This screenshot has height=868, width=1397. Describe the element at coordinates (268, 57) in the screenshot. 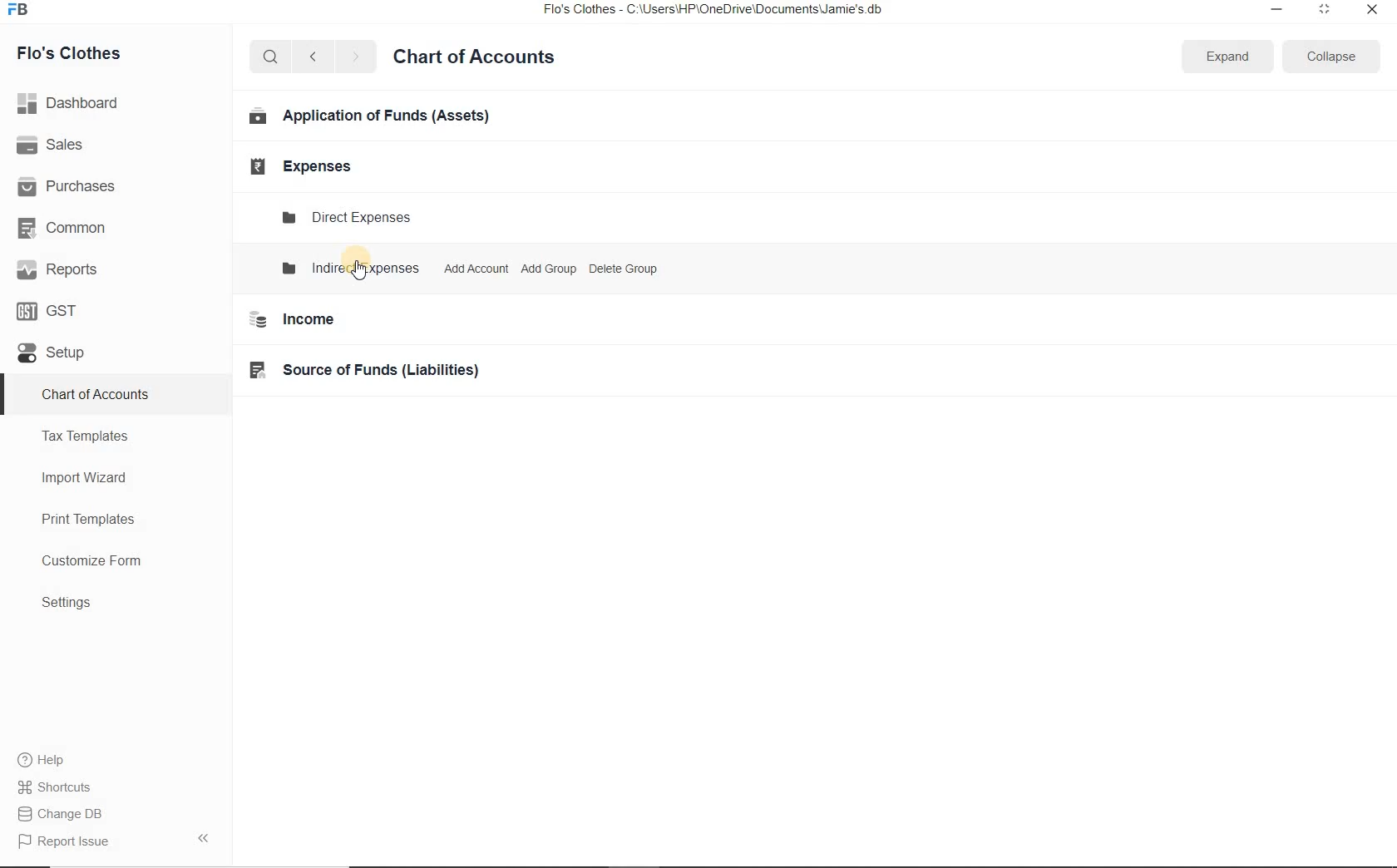

I see `search` at that location.